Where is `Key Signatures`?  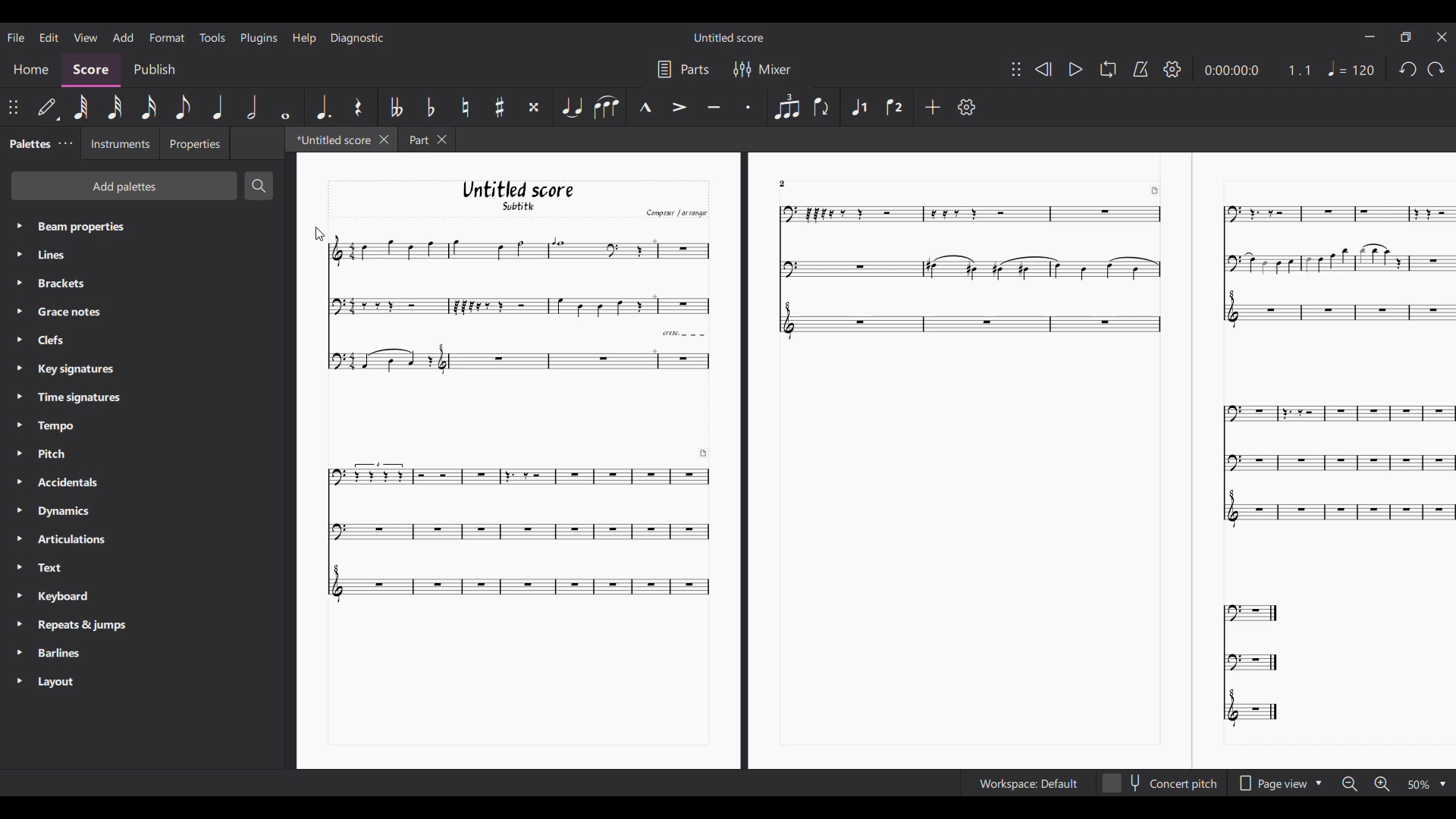
Key Signatures is located at coordinates (76, 369).